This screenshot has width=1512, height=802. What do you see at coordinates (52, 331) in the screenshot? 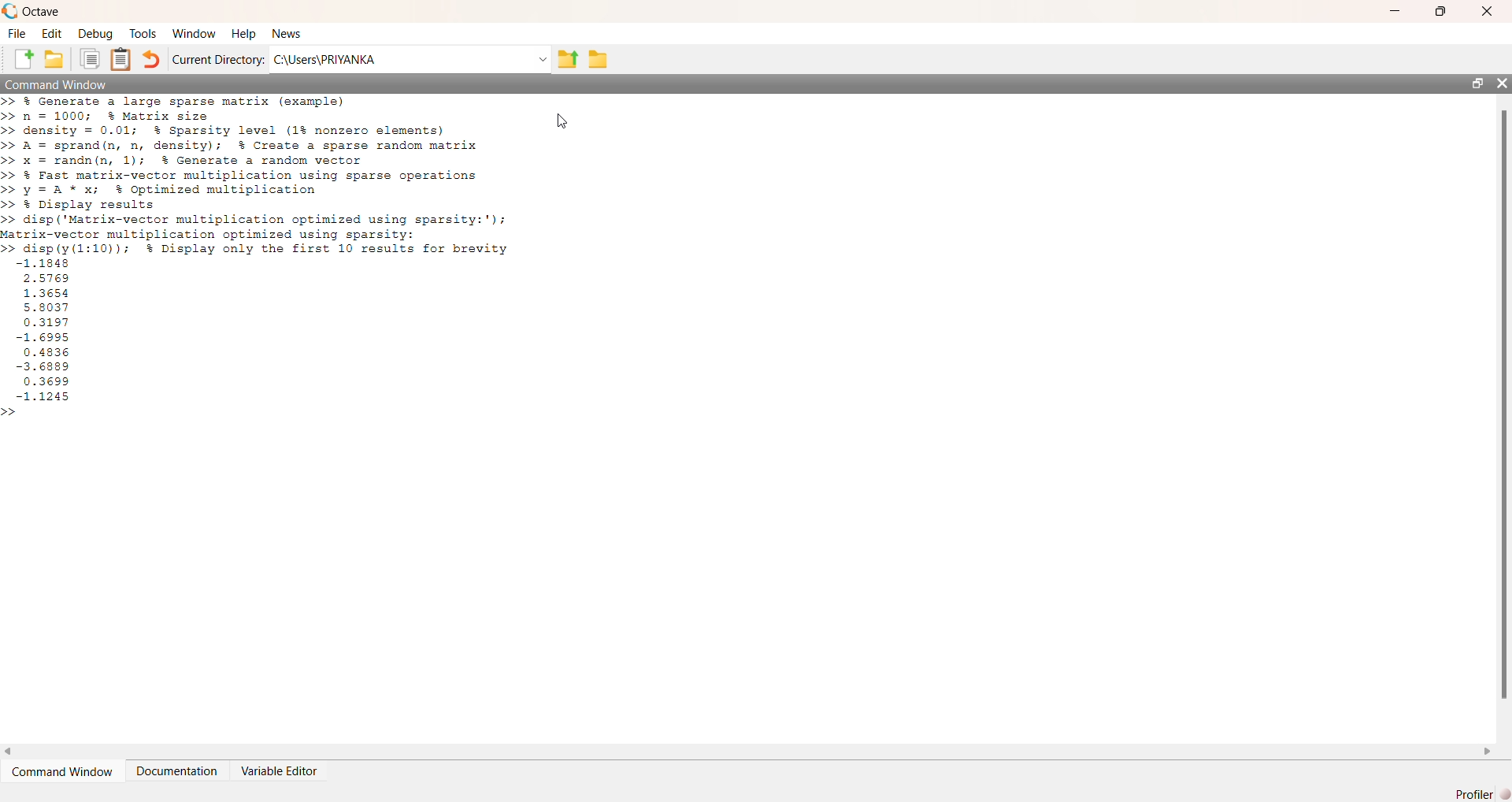
I see `result` at bounding box center [52, 331].